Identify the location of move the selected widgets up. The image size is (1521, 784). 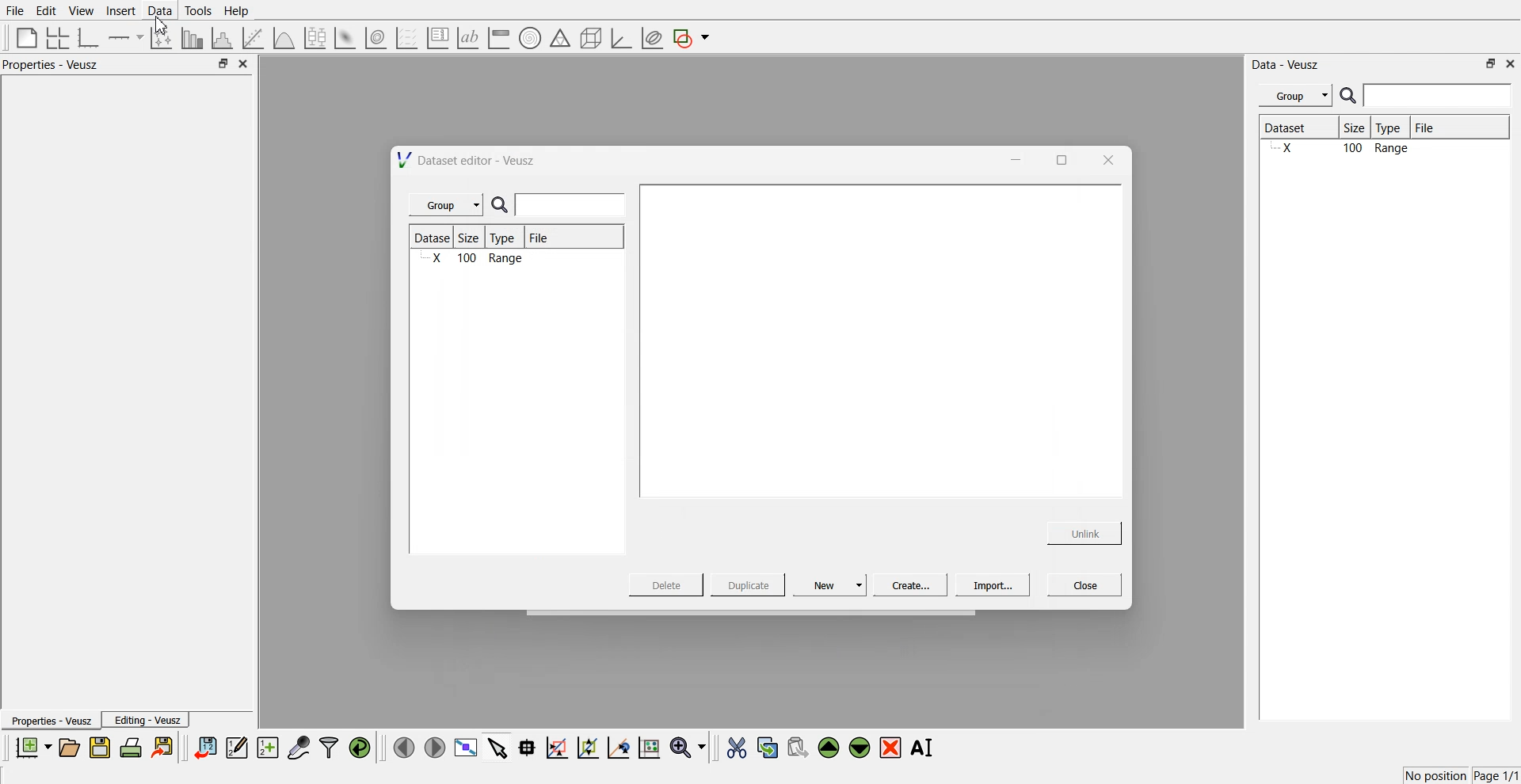
(830, 748).